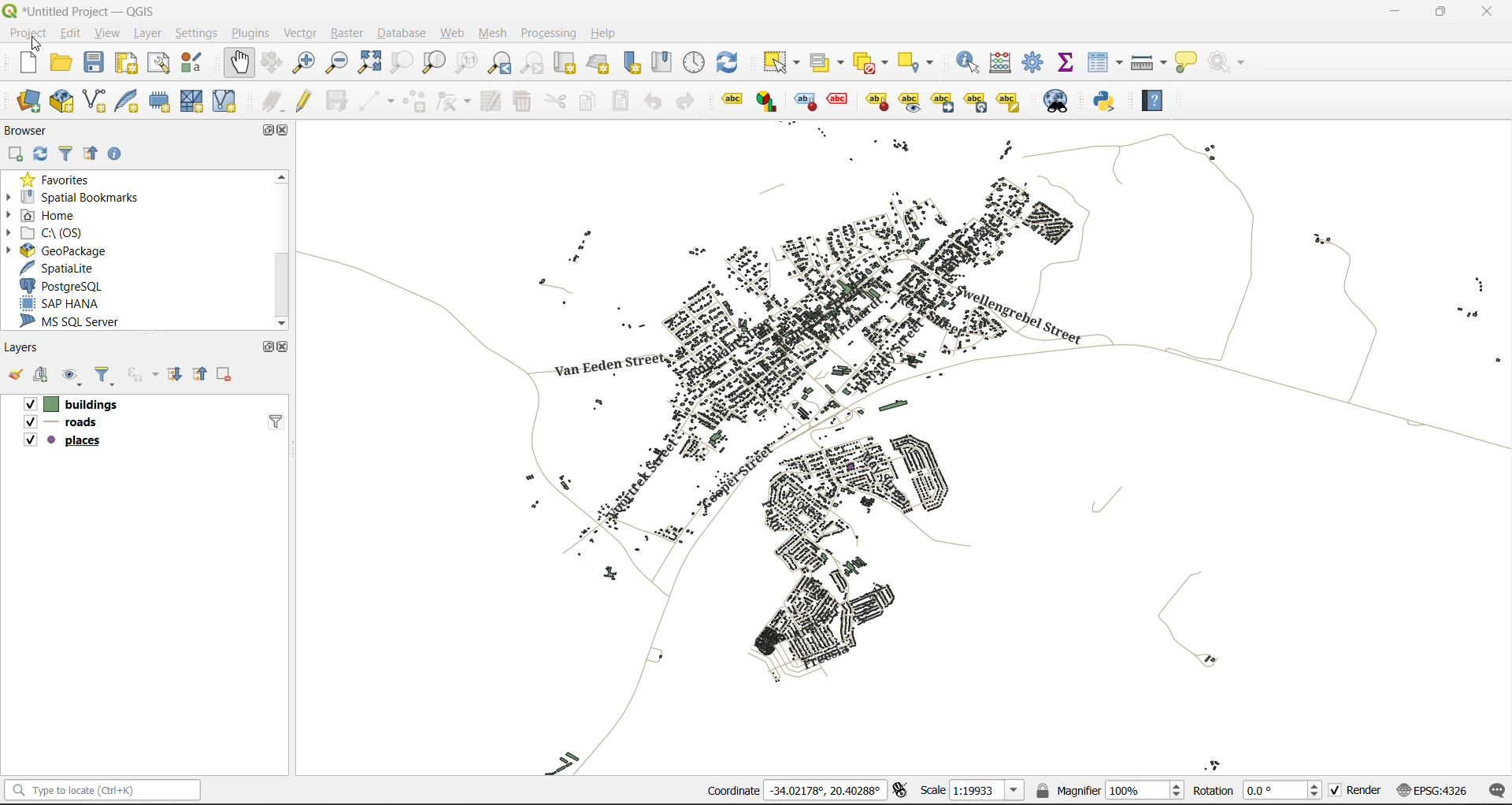 The height and width of the screenshot is (805, 1512). I want to click on vertex tools, so click(450, 102).